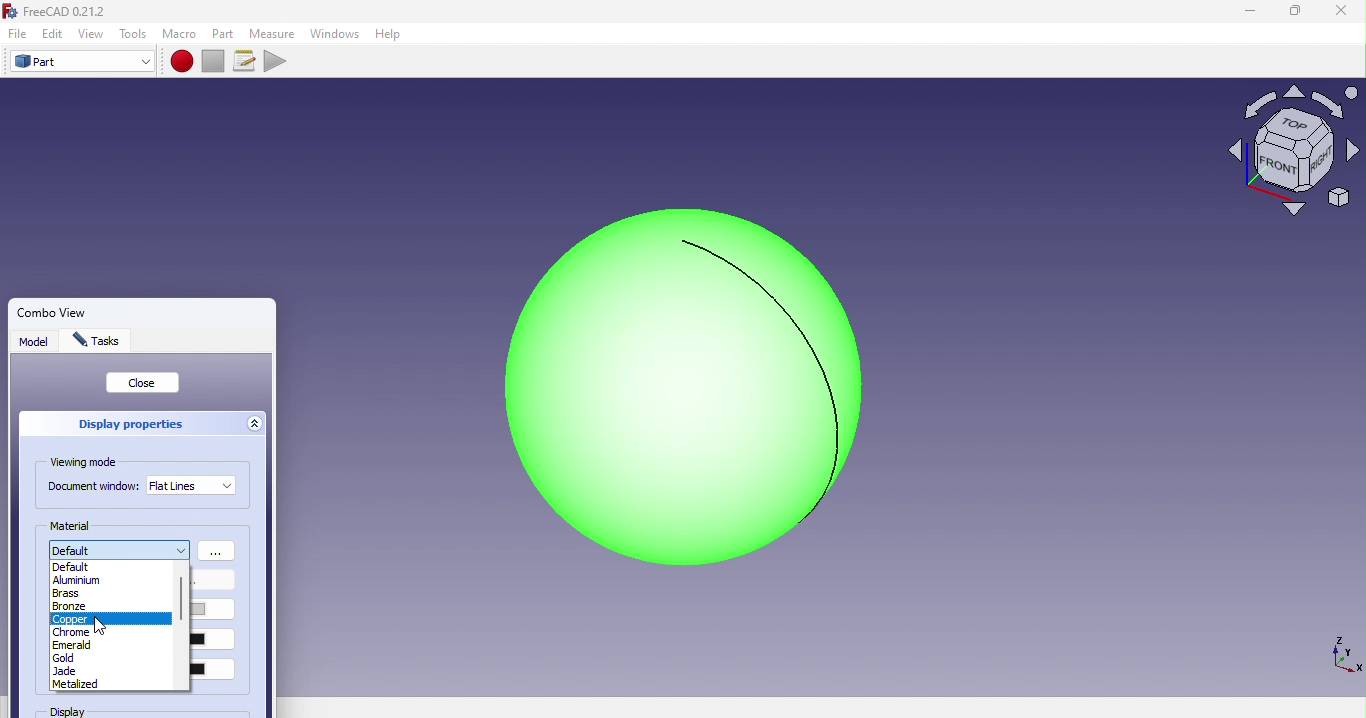 This screenshot has width=1366, height=718. Describe the element at coordinates (93, 308) in the screenshot. I see `Combo view` at that location.